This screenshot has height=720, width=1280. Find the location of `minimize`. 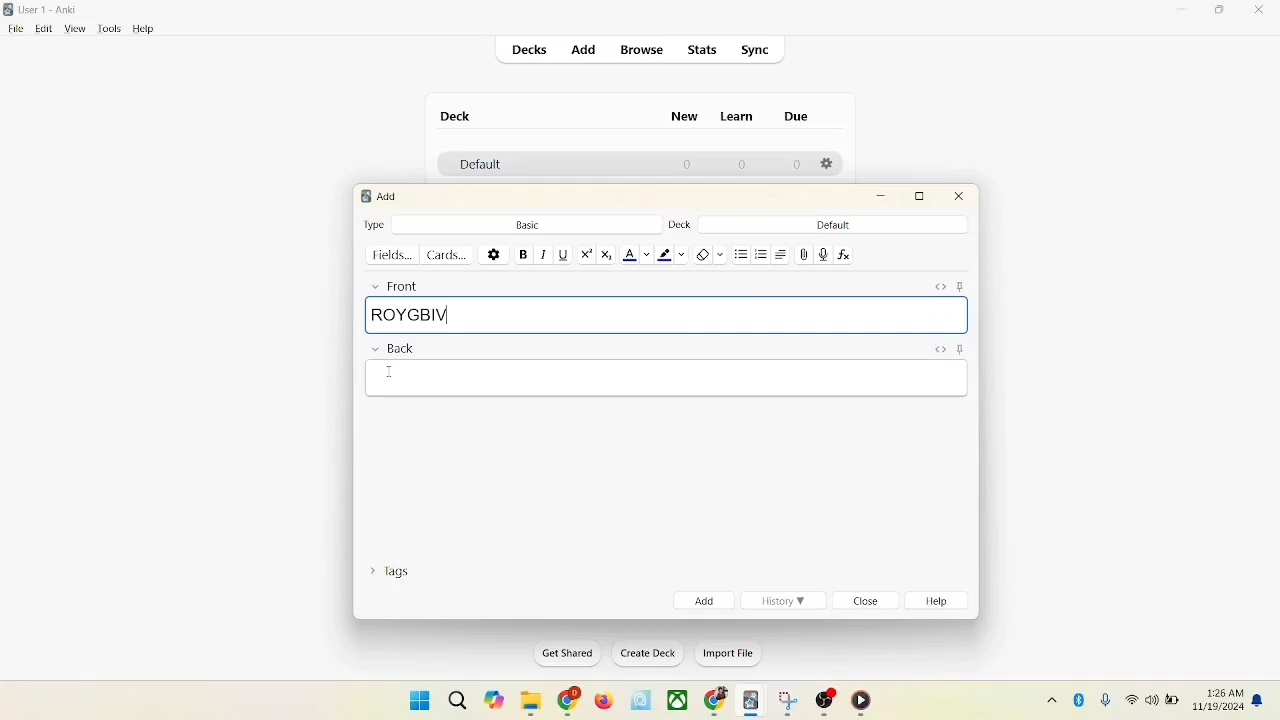

minimize is located at coordinates (1183, 11).